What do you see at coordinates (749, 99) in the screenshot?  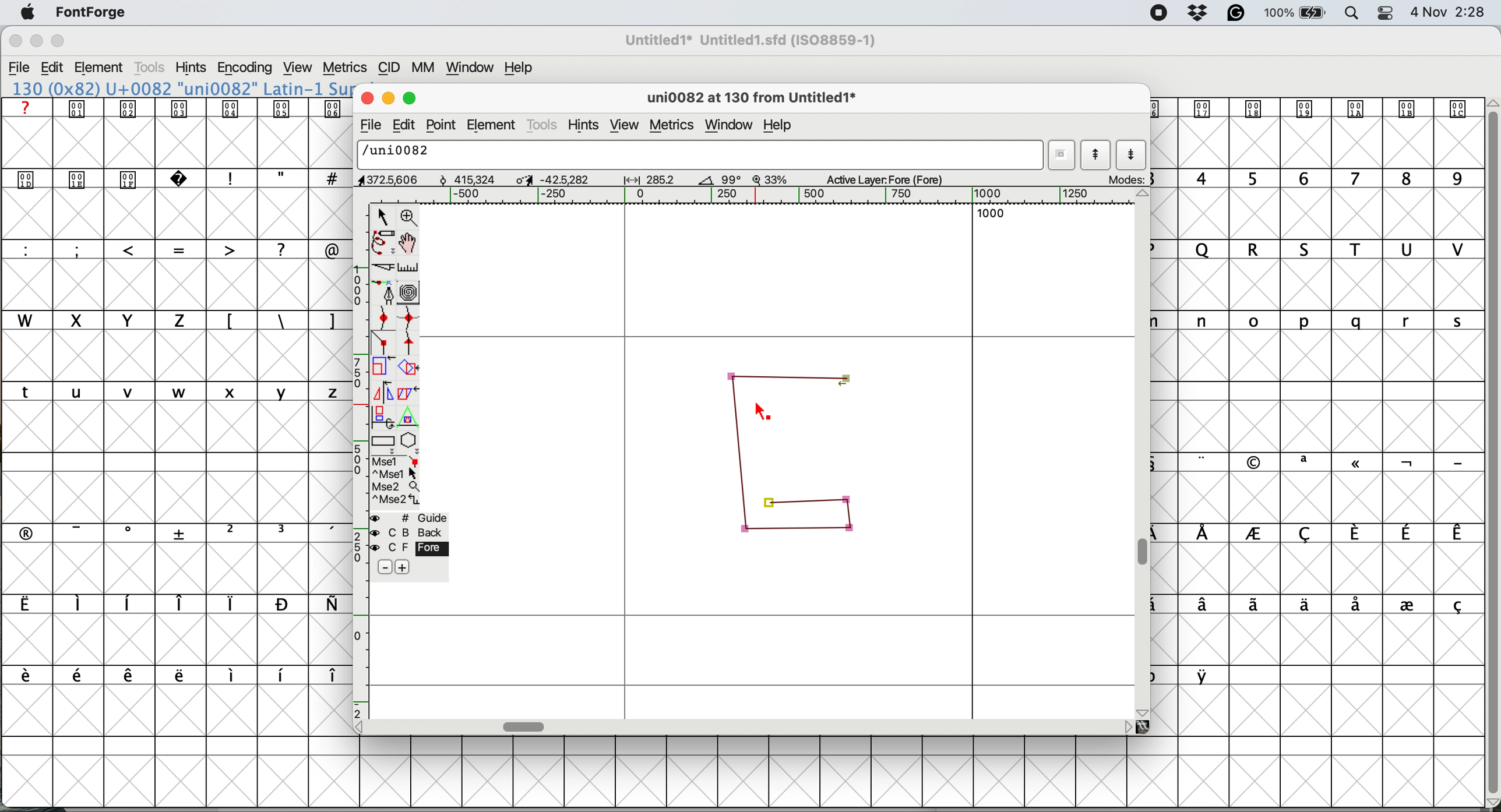 I see `glyph name` at bounding box center [749, 99].